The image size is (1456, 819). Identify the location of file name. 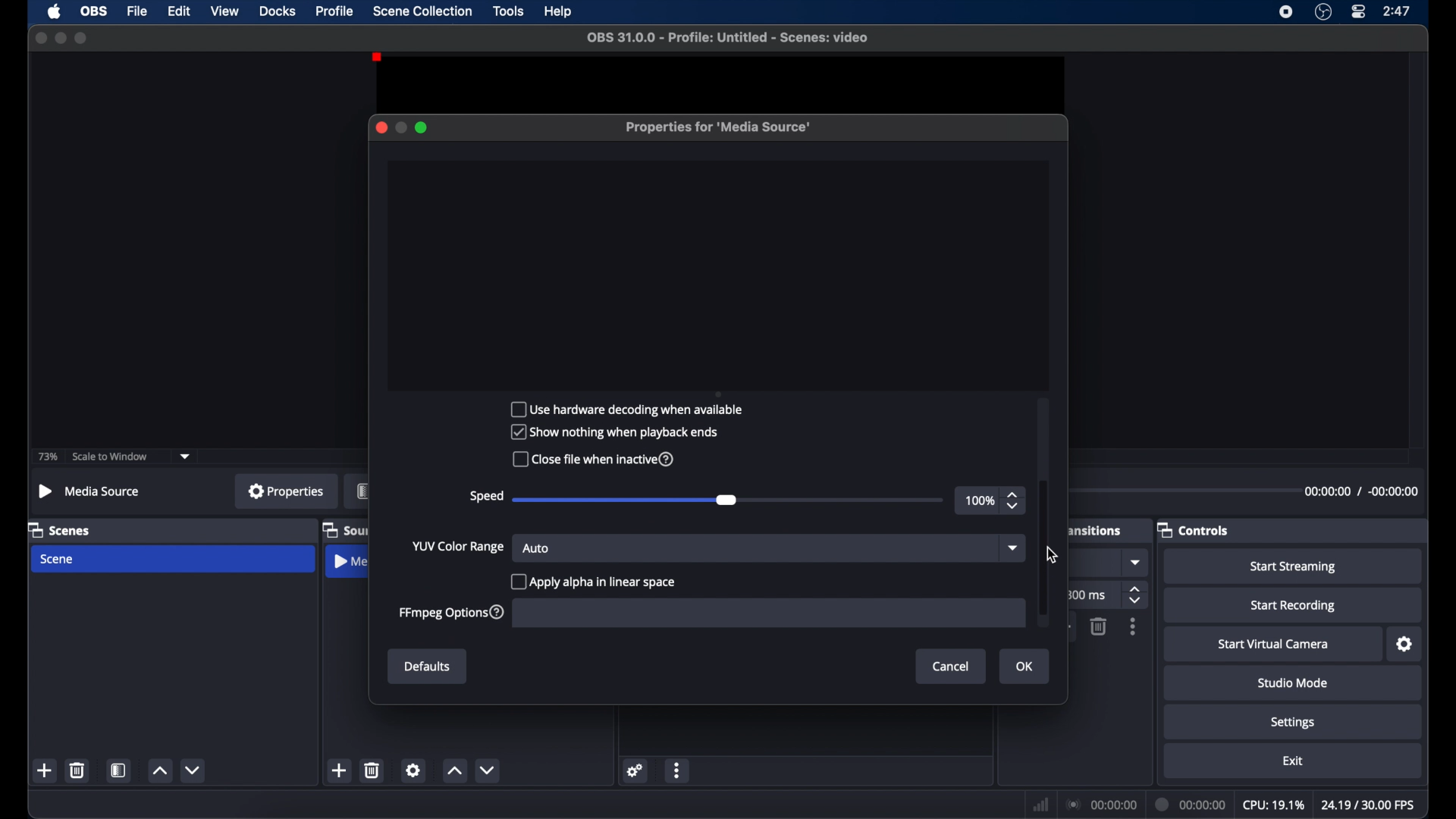
(728, 38).